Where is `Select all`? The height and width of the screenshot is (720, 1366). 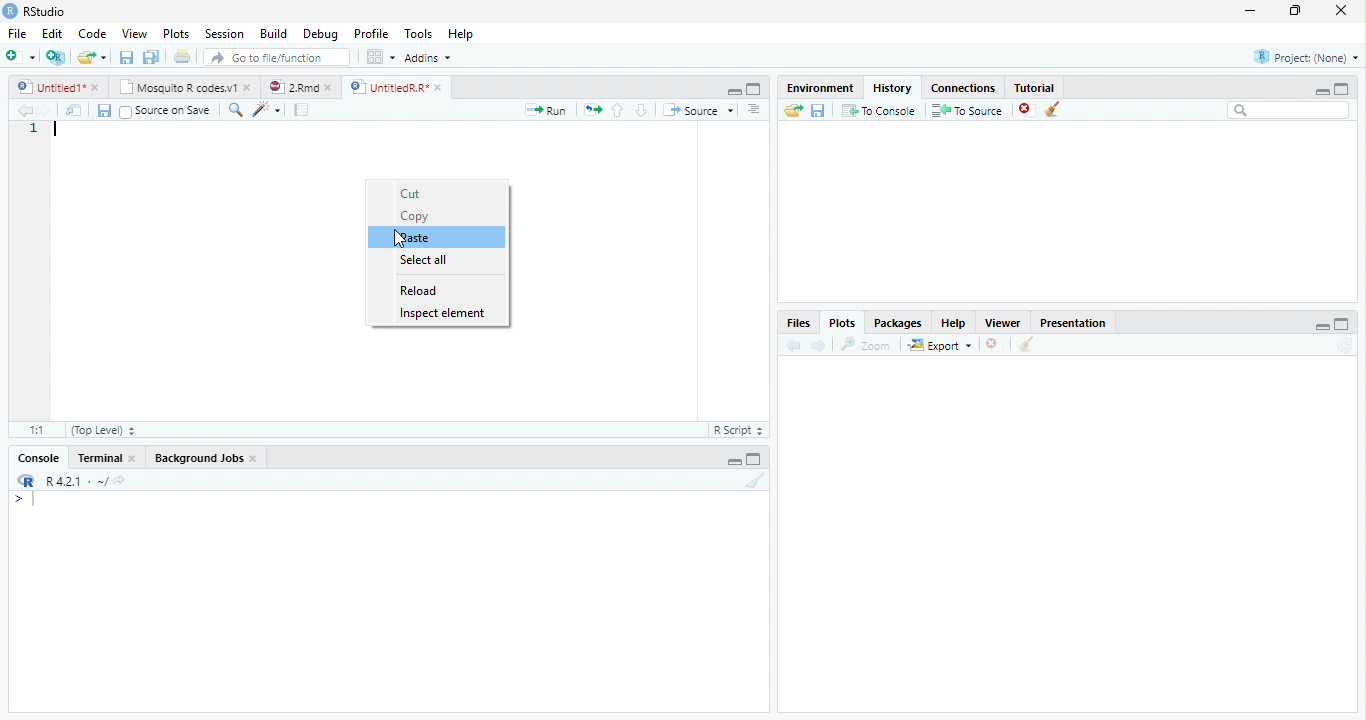 Select all is located at coordinates (434, 260).